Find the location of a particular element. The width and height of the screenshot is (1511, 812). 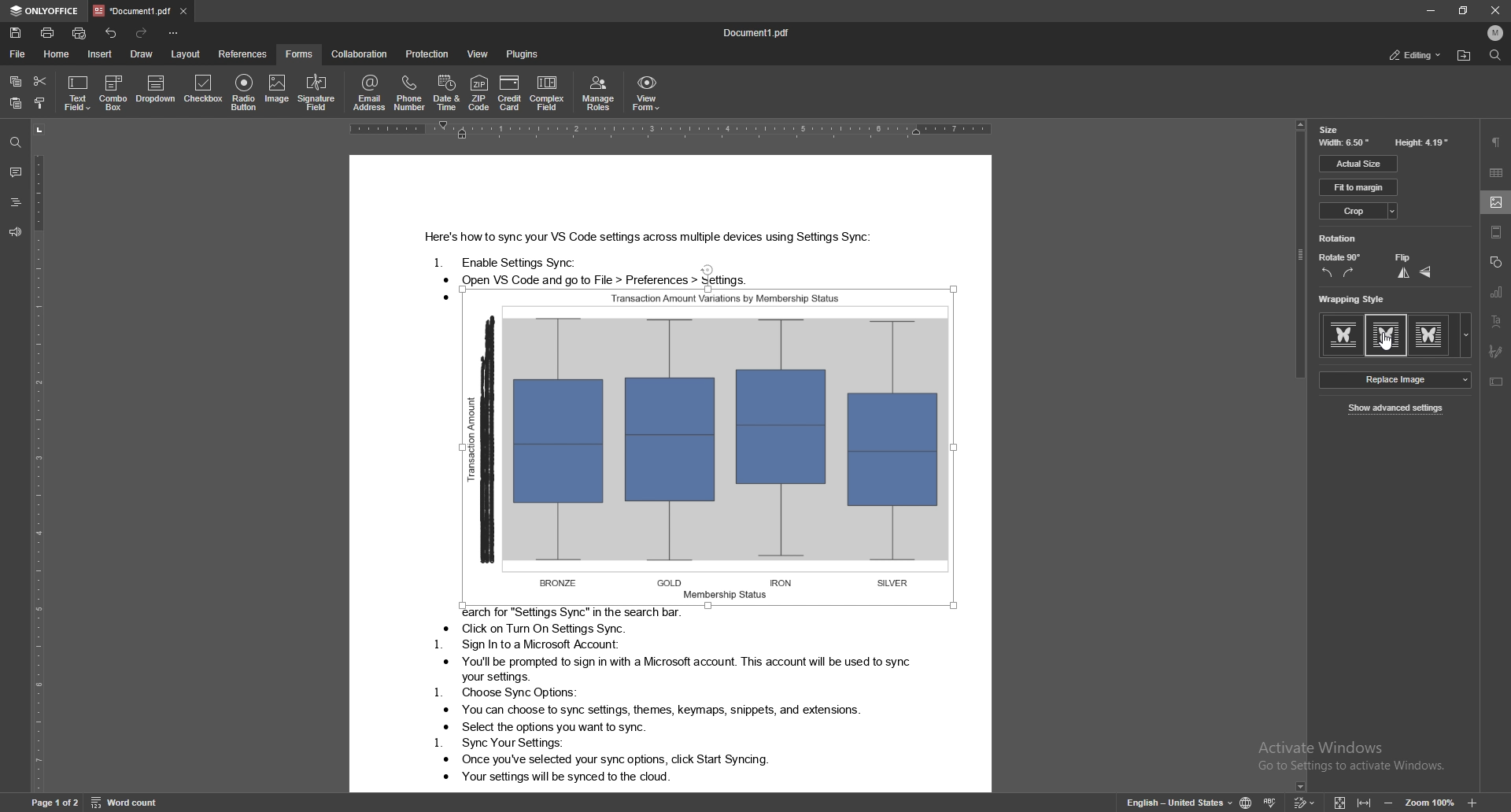

email address is located at coordinates (369, 92).